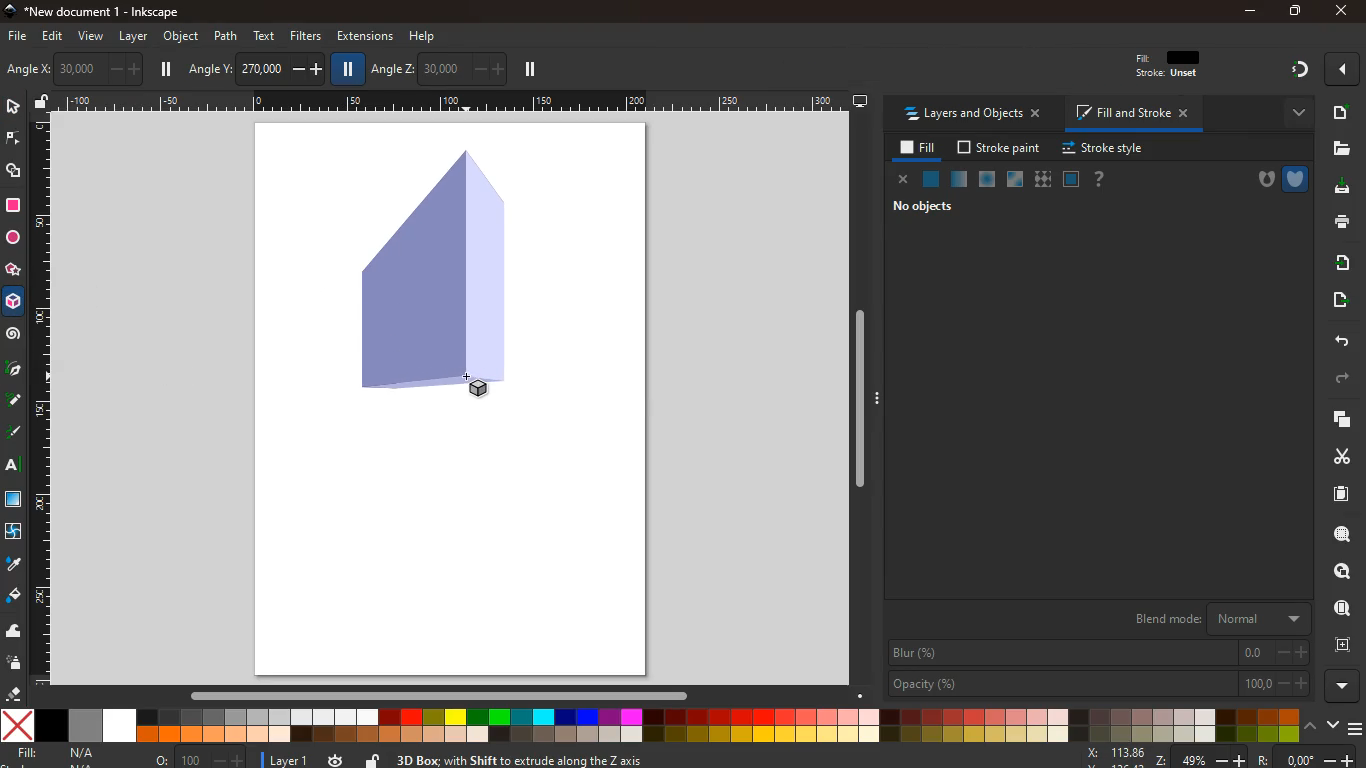  I want to click on spray, so click(15, 664).